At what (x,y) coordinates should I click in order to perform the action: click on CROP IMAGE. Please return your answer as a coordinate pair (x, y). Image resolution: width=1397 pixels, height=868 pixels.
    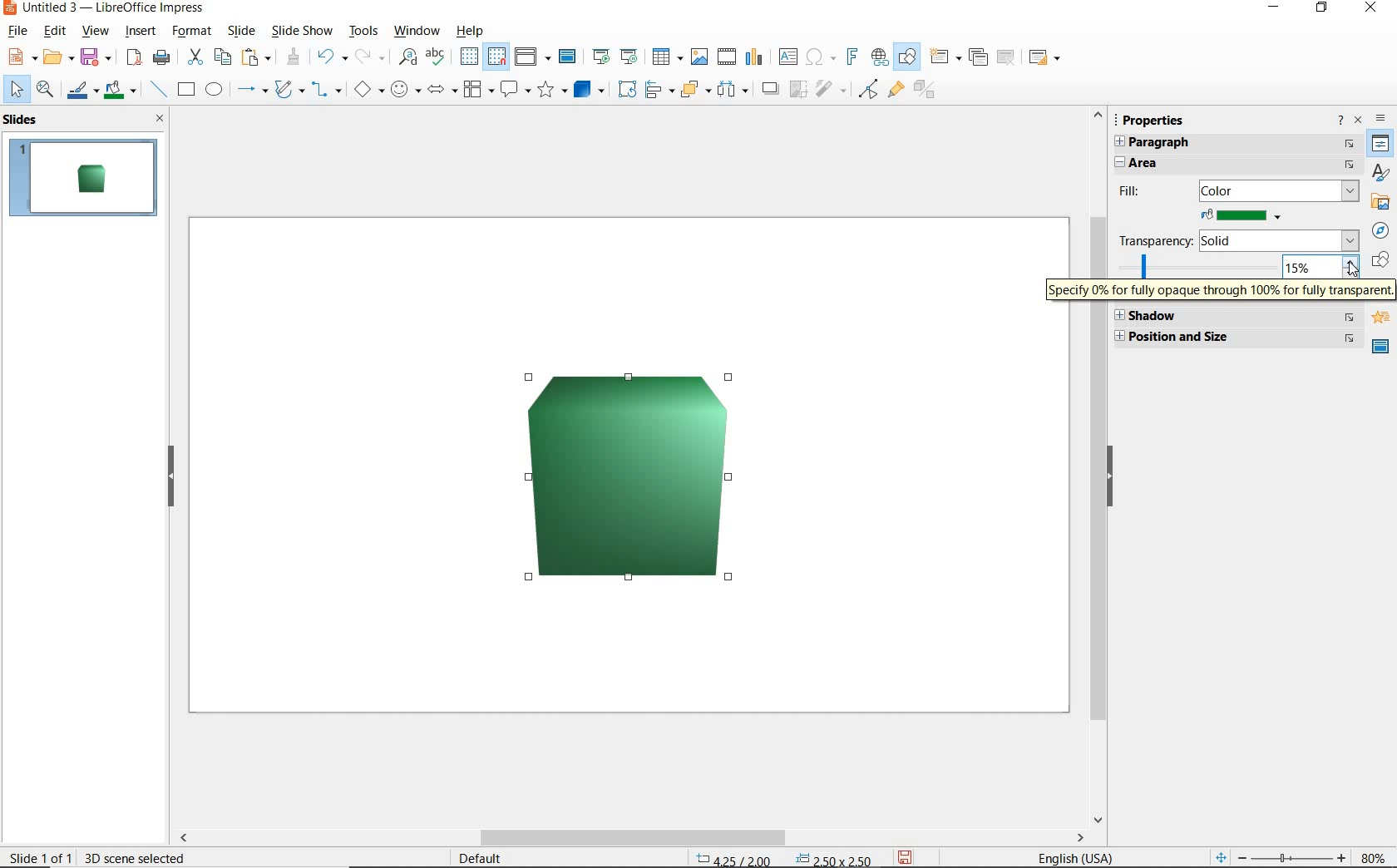
    Looking at the image, I should click on (798, 91).